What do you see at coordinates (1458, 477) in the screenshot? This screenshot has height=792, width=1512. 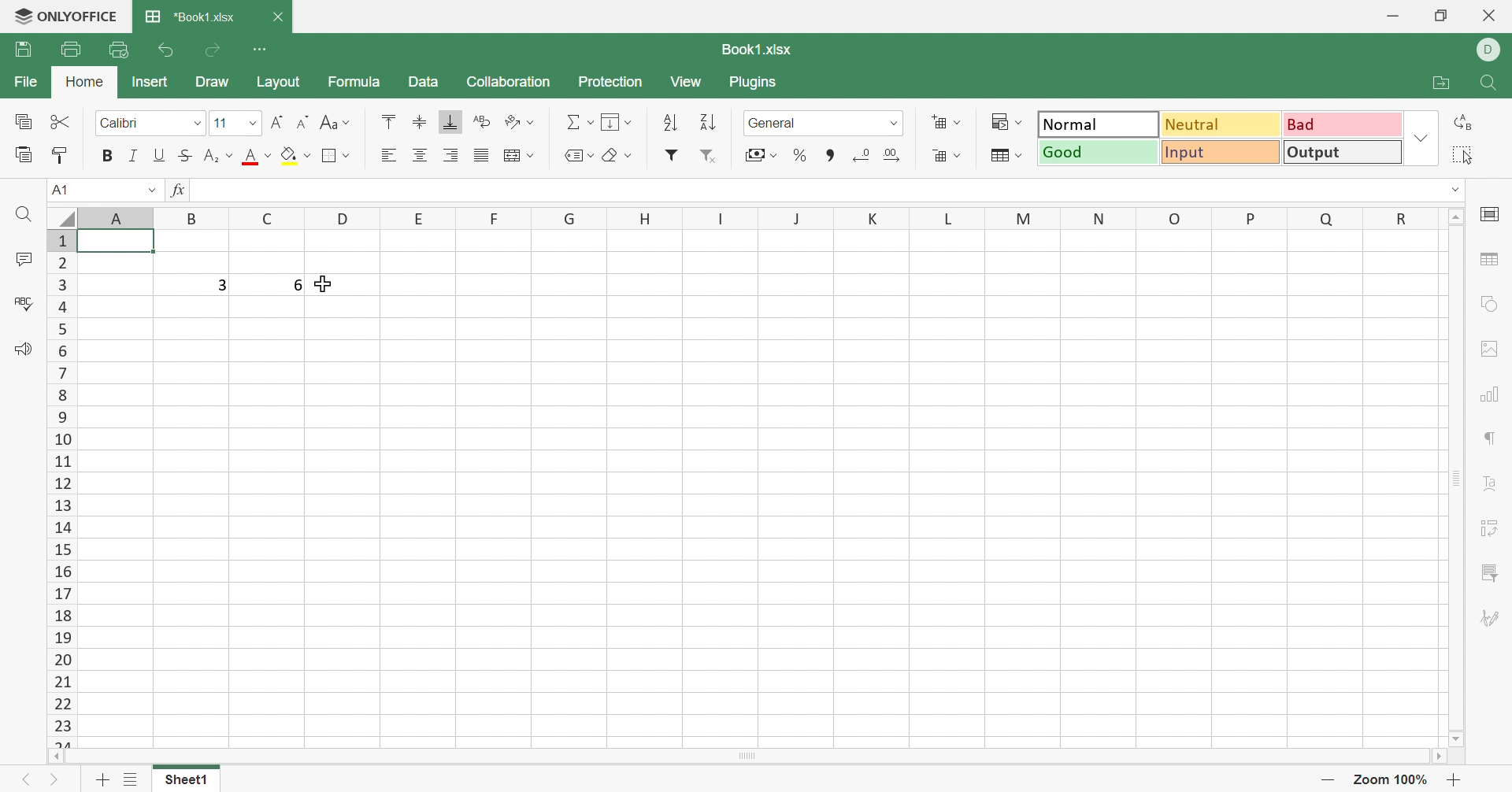 I see `Scroll bar` at bounding box center [1458, 477].